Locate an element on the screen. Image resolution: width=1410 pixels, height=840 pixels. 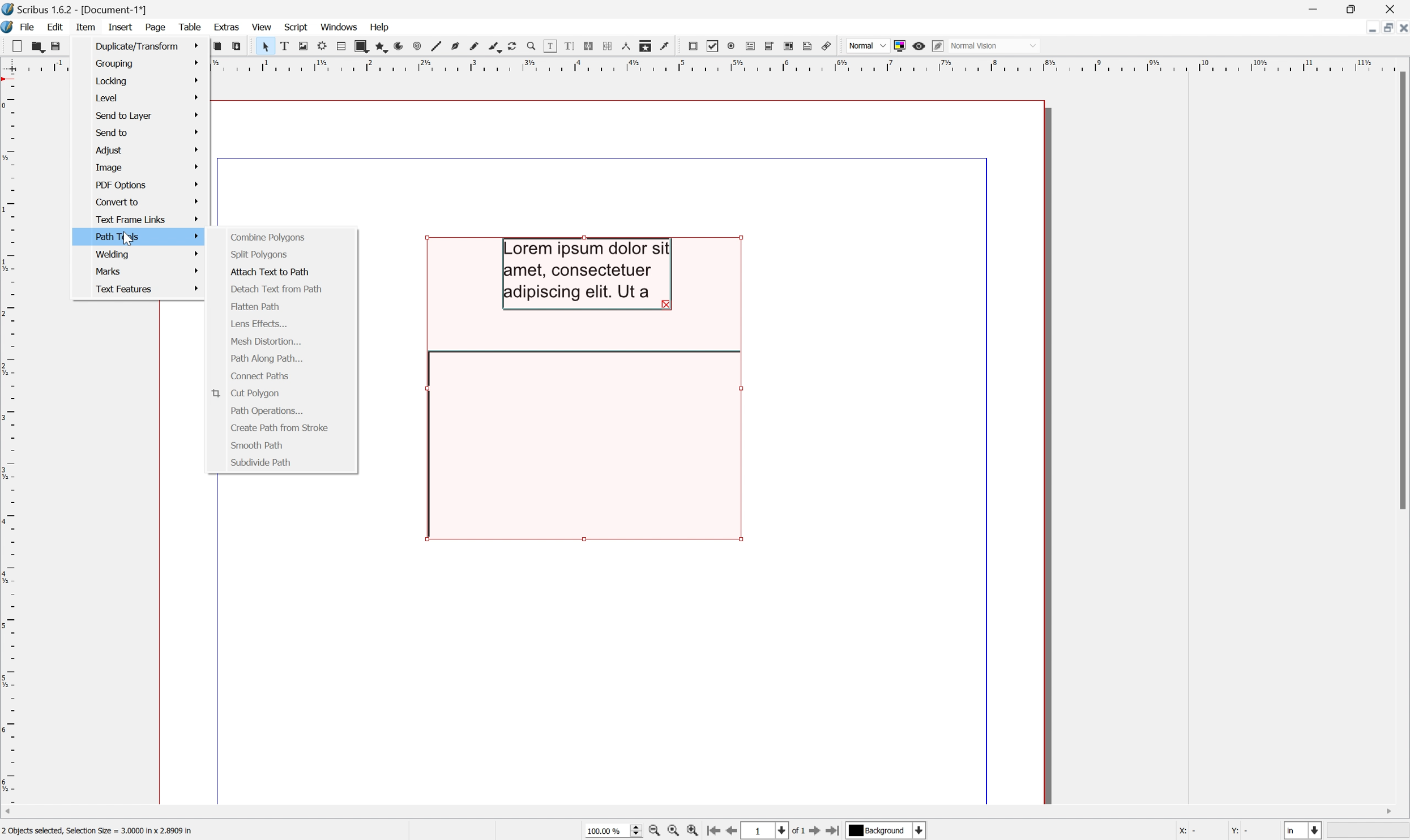
Duplicate is located at coordinates (148, 45).